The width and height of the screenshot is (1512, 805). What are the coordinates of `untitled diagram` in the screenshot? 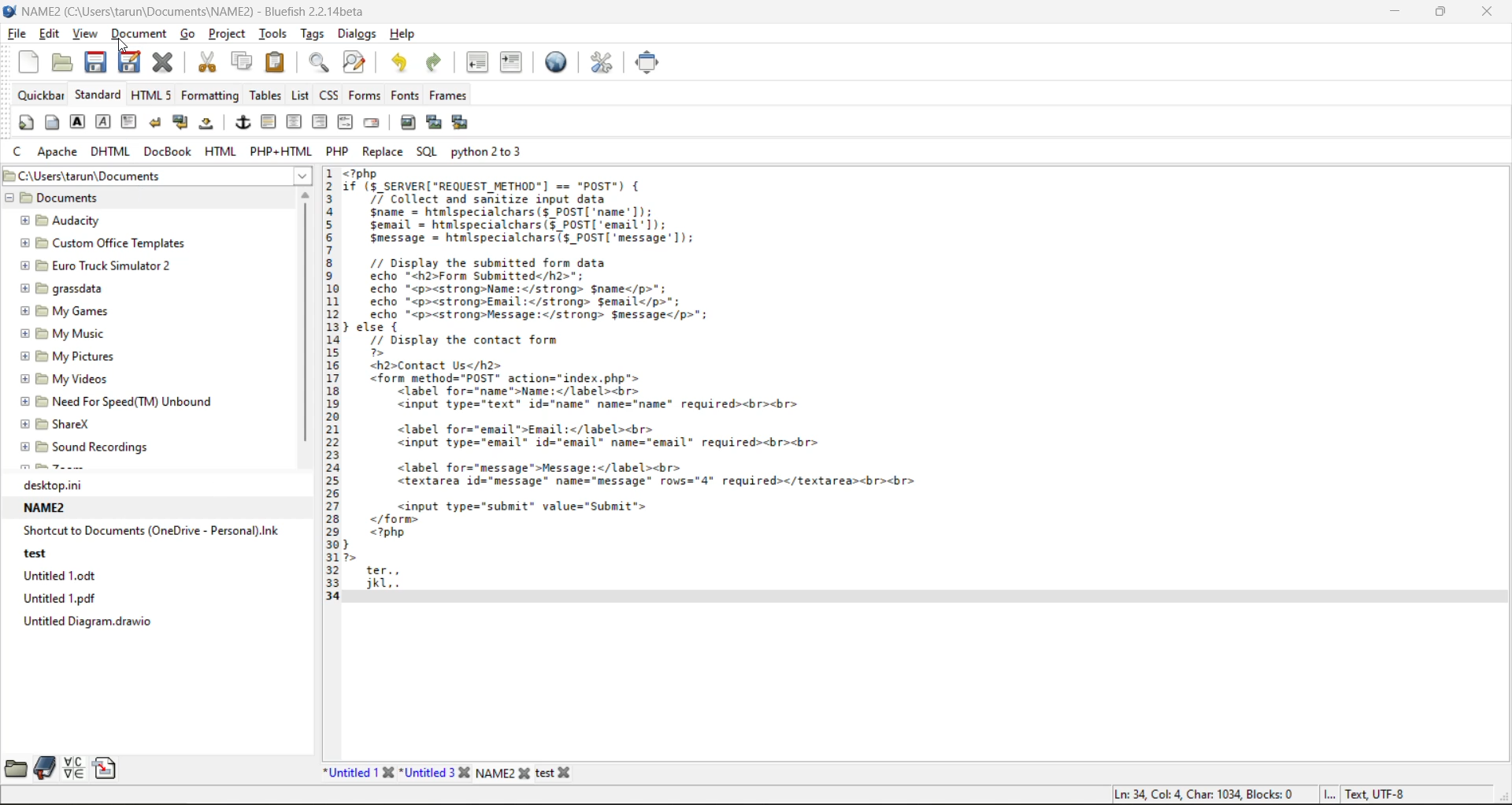 It's located at (85, 621).